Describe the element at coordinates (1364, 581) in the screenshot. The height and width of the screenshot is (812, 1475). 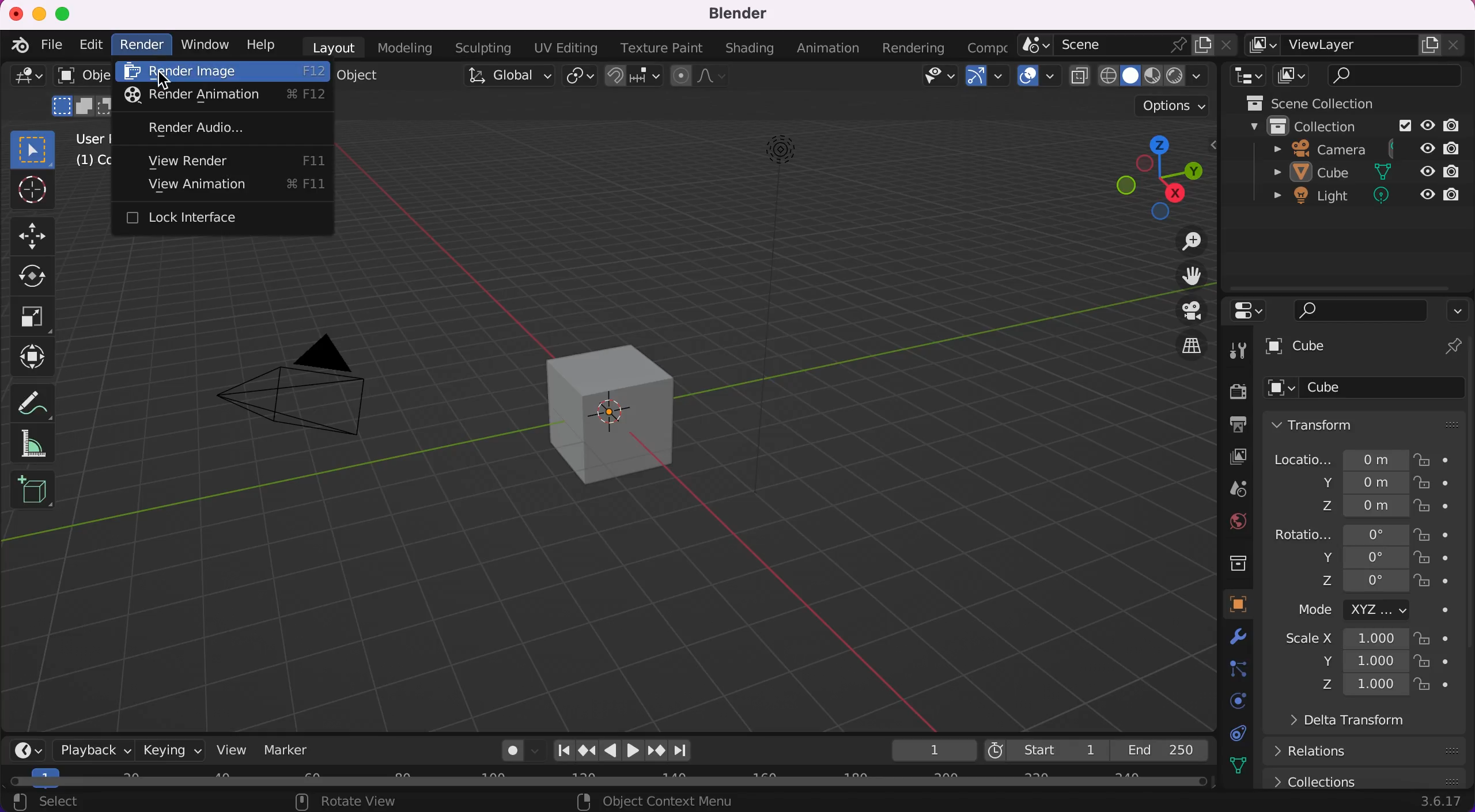
I see `z 0` at that location.